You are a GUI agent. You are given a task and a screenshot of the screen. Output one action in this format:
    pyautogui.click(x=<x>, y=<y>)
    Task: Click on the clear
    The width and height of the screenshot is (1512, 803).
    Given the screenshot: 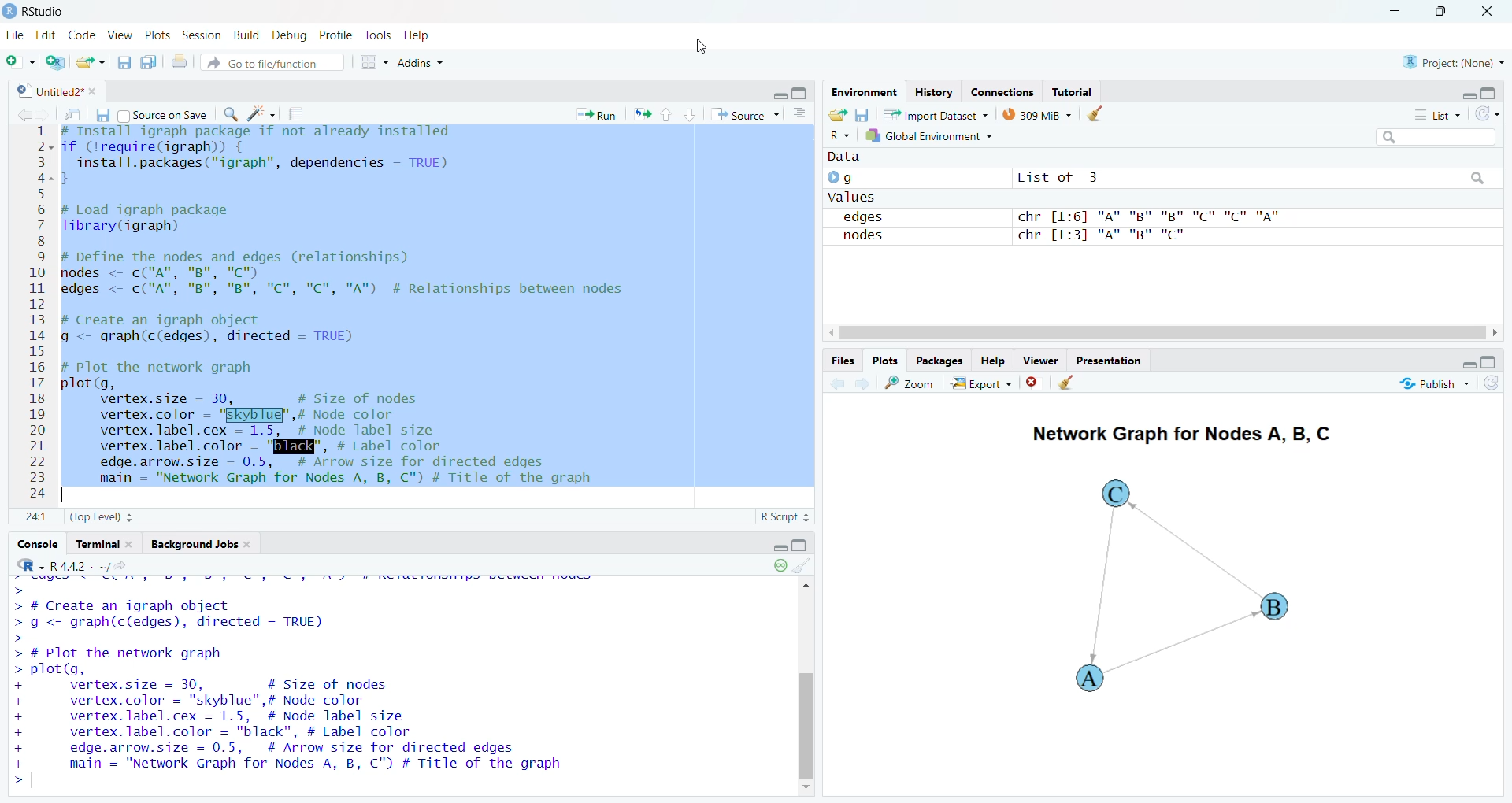 What is the action you would take?
    pyautogui.click(x=1098, y=115)
    